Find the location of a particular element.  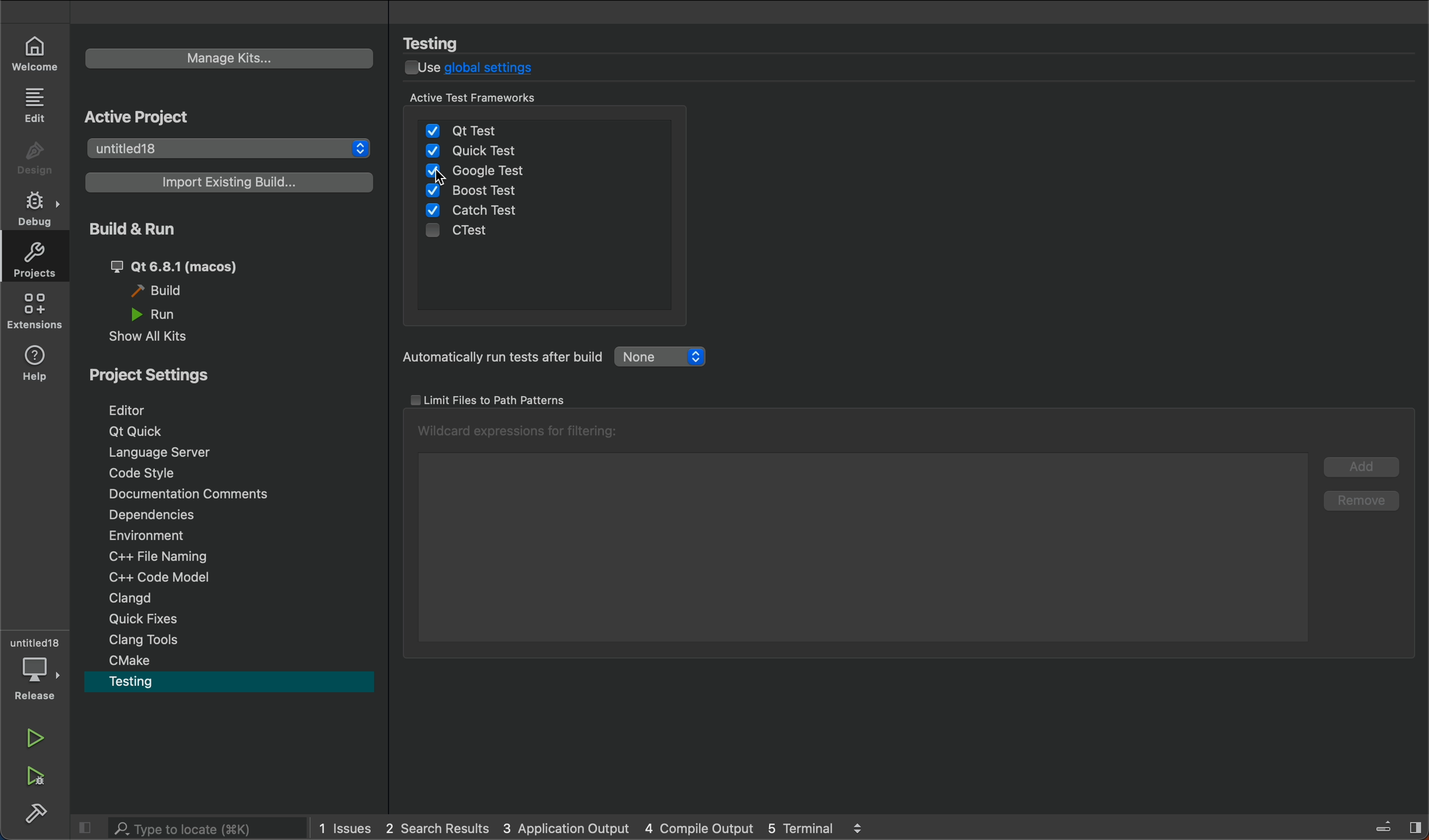

add is located at coordinates (1357, 470).